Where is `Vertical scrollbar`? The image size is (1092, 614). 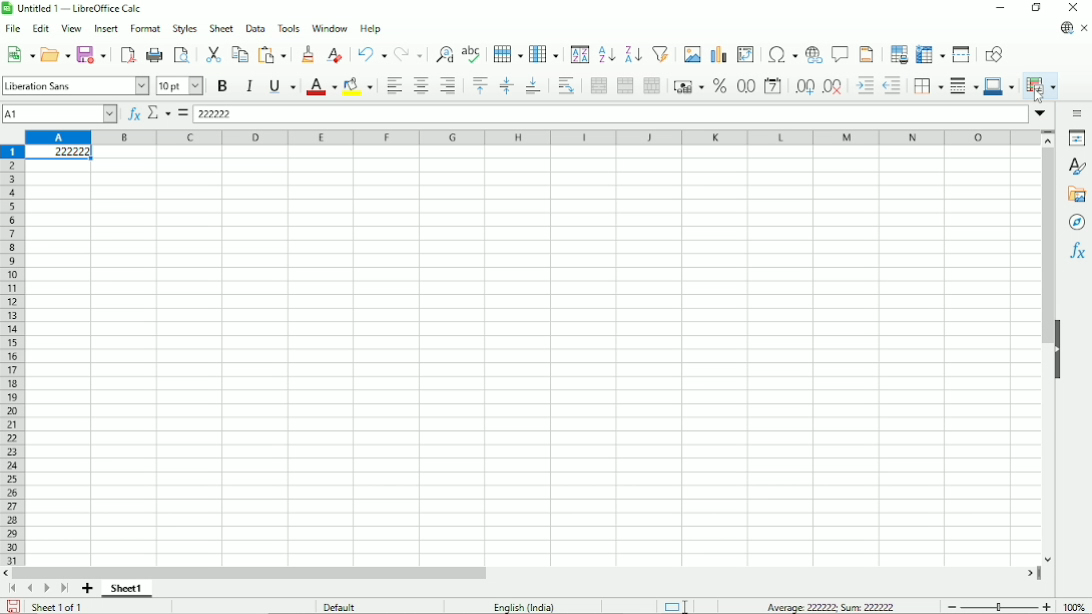 Vertical scrollbar is located at coordinates (1044, 246).